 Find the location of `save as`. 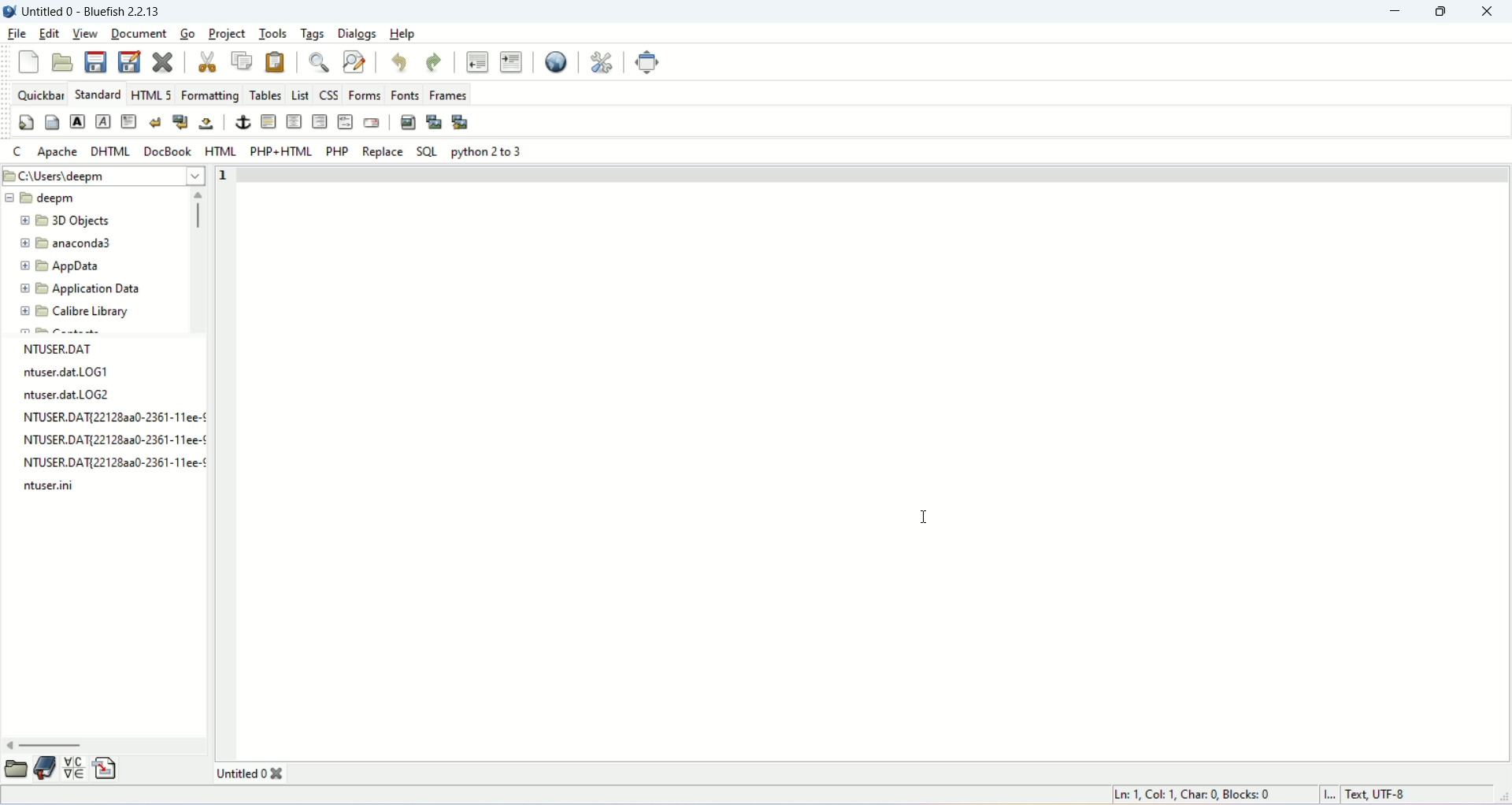

save as is located at coordinates (129, 62).